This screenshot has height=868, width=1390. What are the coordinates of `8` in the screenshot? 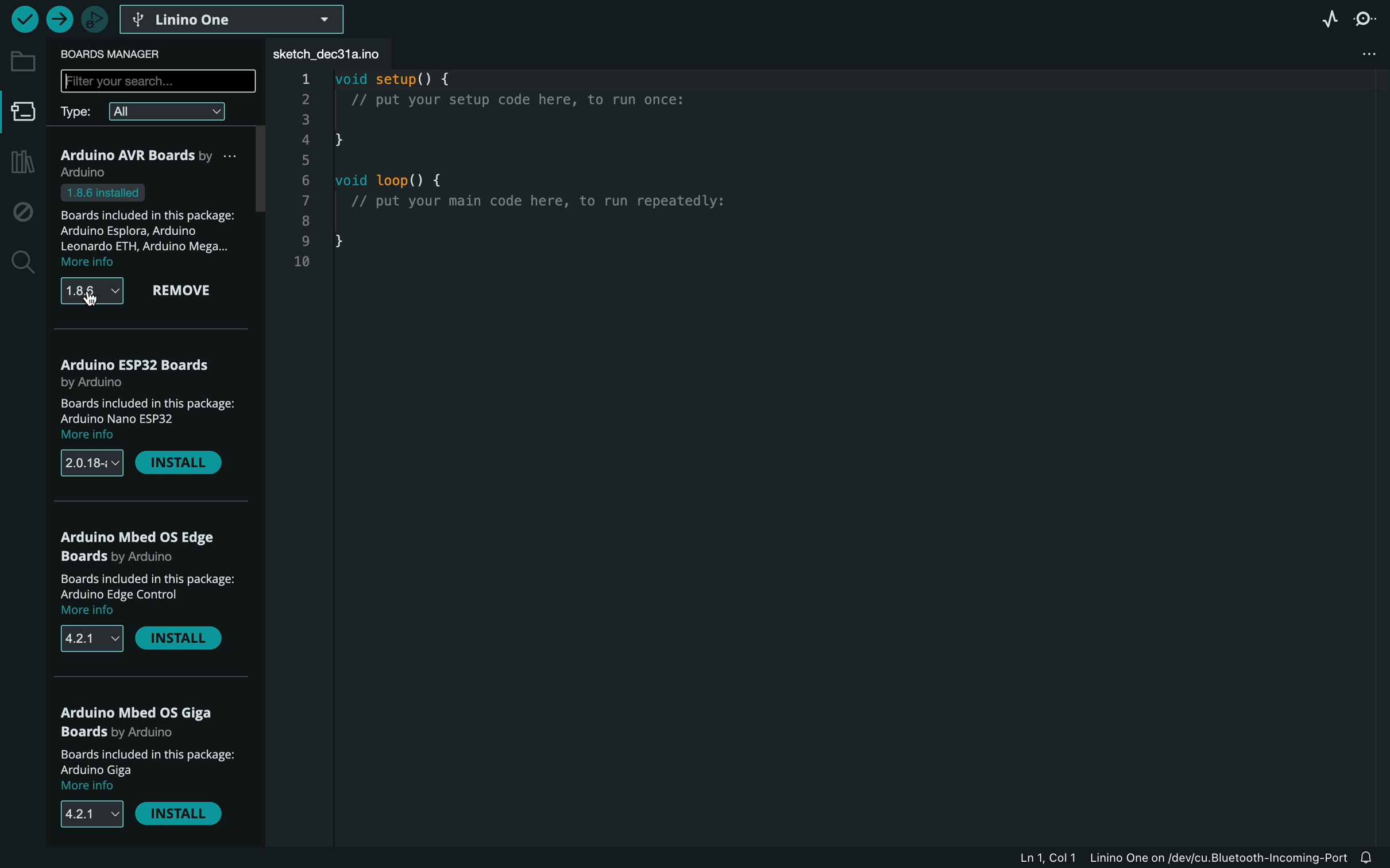 It's located at (305, 223).